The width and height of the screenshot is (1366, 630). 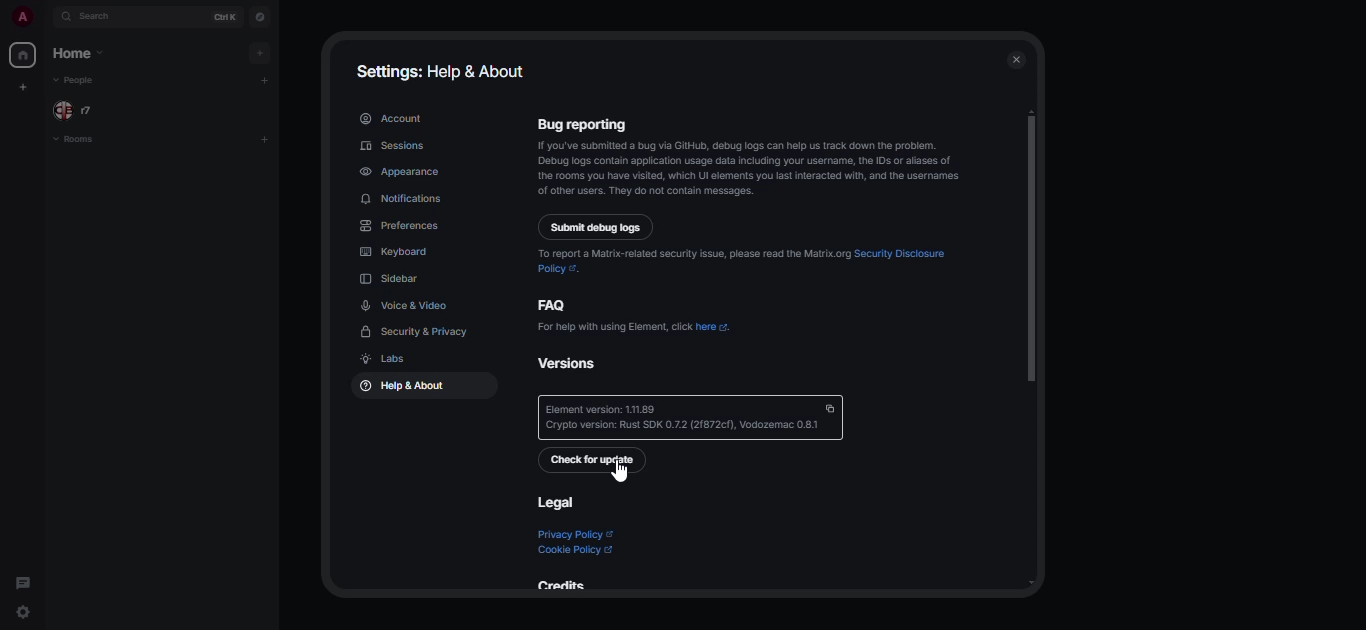 I want to click on account, so click(x=393, y=118).